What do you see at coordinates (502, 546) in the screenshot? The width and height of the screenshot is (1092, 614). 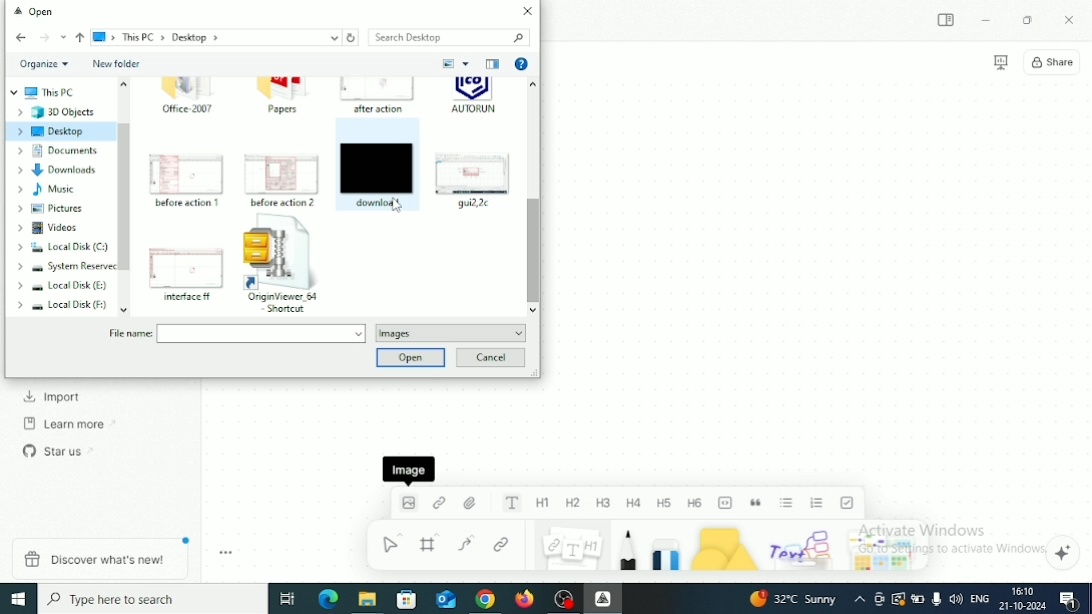 I see `Link` at bounding box center [502, 546].